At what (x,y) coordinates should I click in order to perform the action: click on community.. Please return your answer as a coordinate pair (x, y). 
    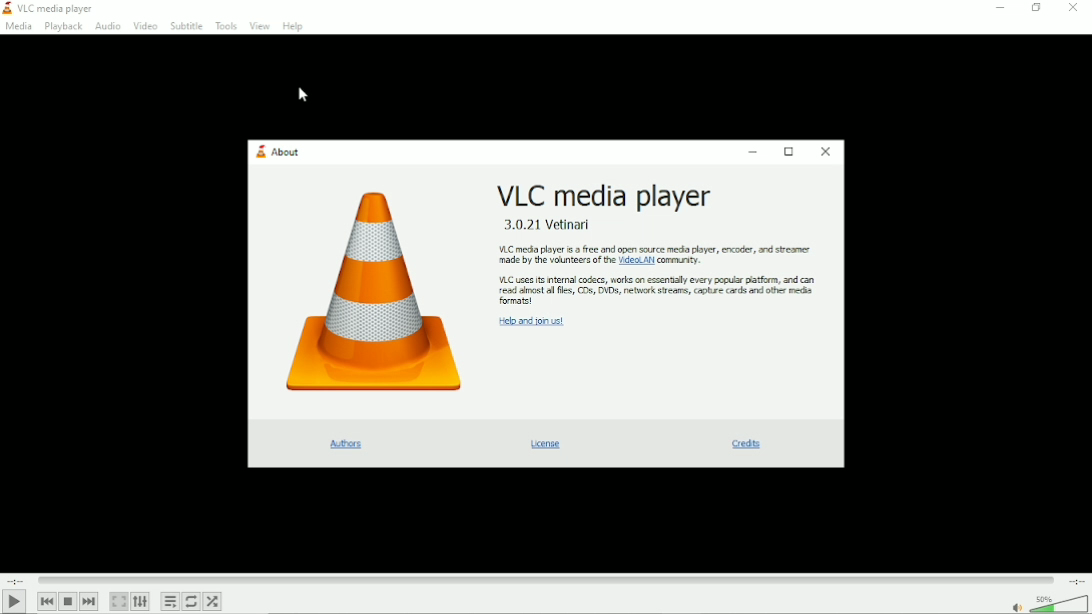
    Looking at the image, I should click on (678, 260).